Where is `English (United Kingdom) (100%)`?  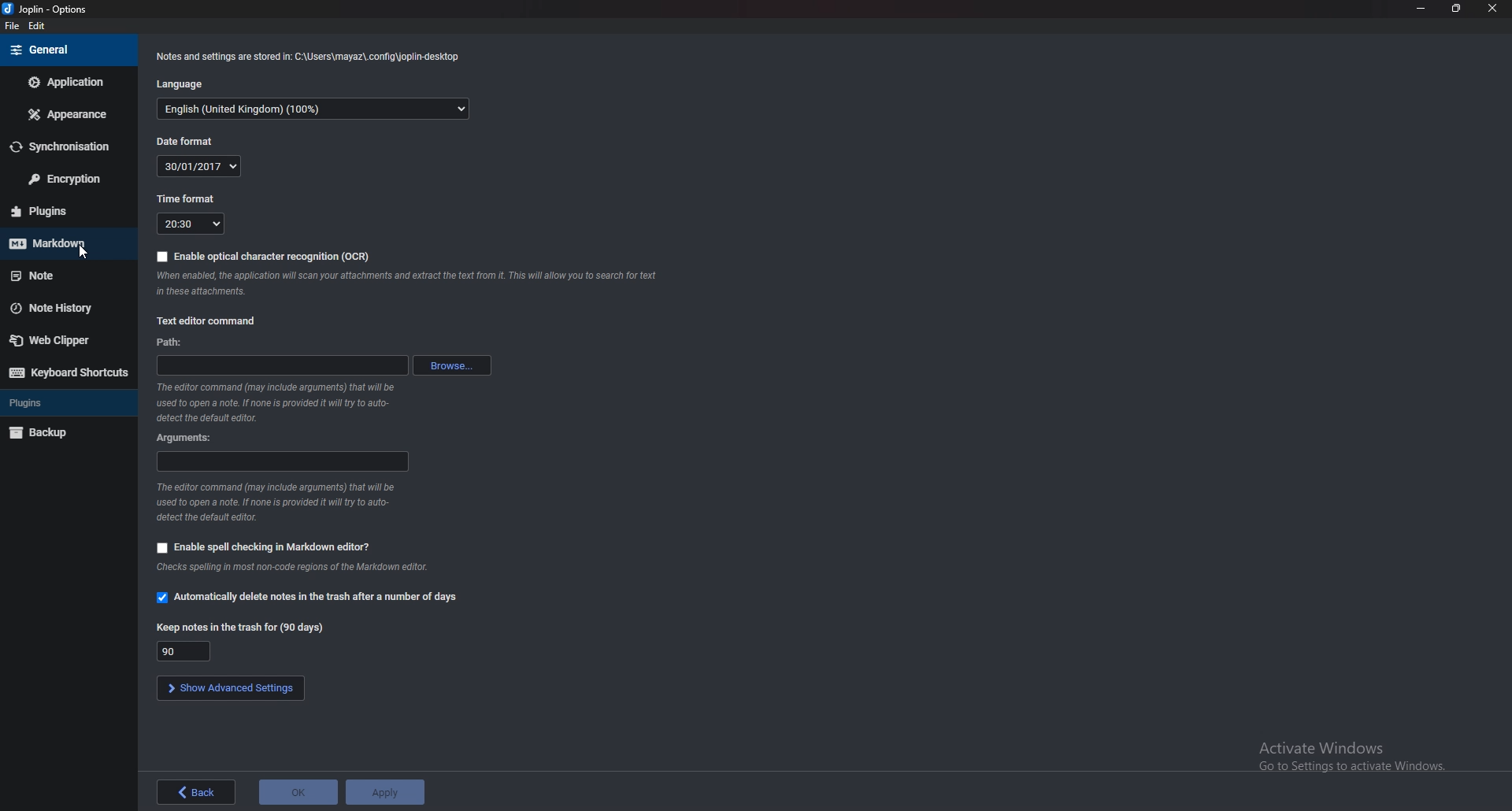
English (United Kingdom) (100%) is located at coordinates (313, 110).